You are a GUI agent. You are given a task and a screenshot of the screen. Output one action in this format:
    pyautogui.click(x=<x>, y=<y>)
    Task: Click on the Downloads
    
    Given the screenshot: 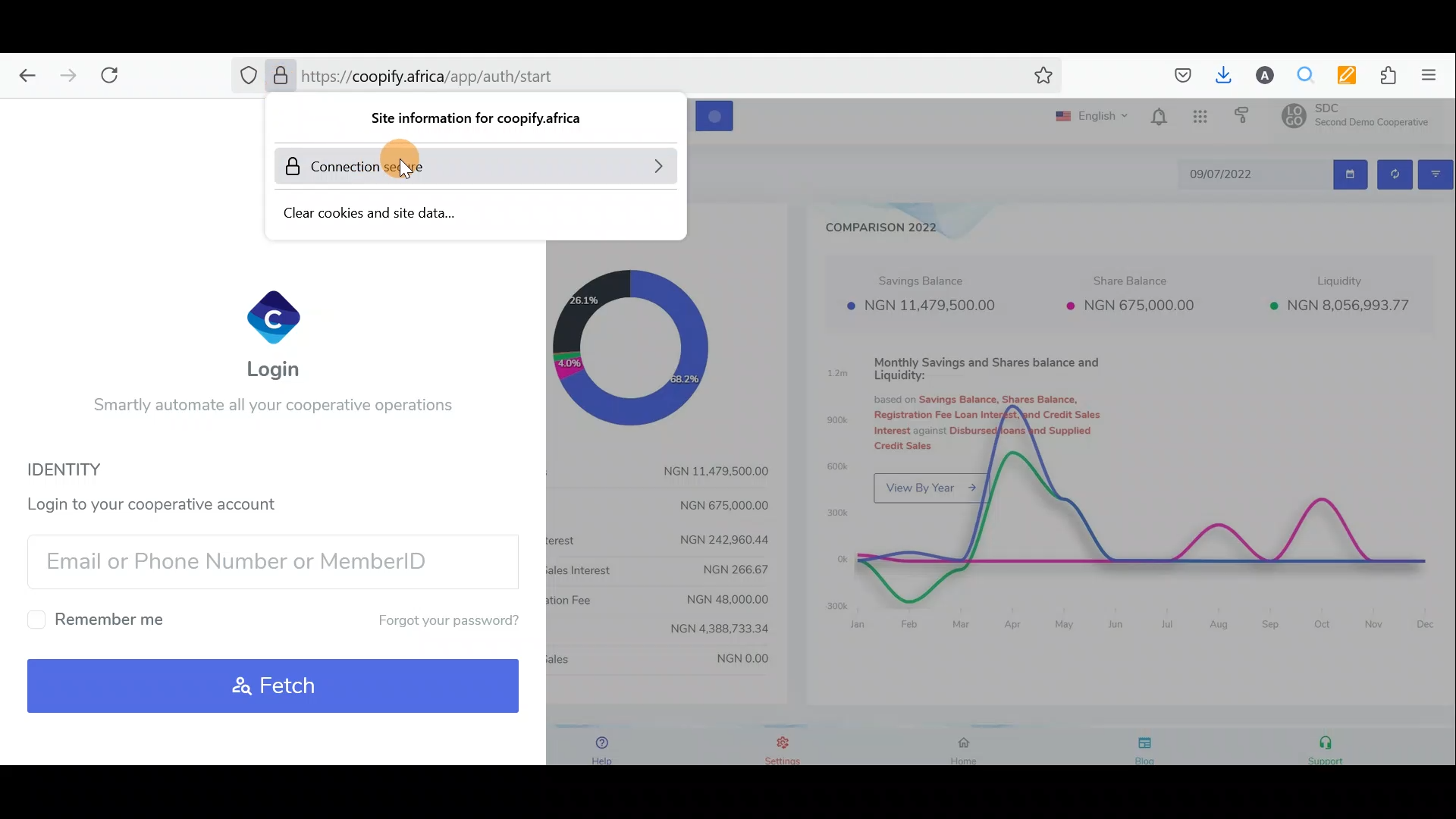 What is the action you would take?
    pyautogui.click(x=1220, y=74)
    